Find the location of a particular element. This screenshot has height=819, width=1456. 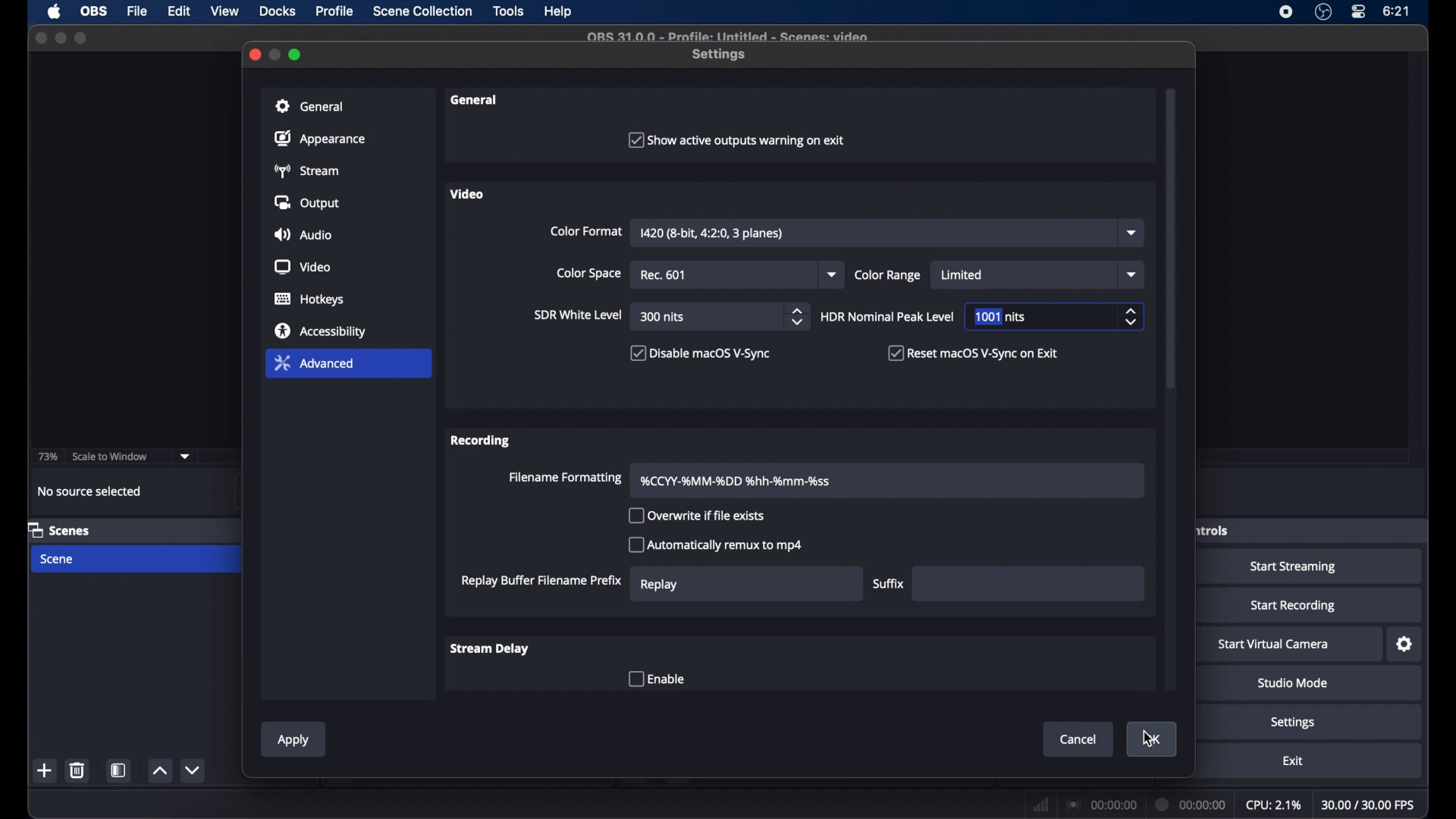

appearance is located at coordinates (320, 138).